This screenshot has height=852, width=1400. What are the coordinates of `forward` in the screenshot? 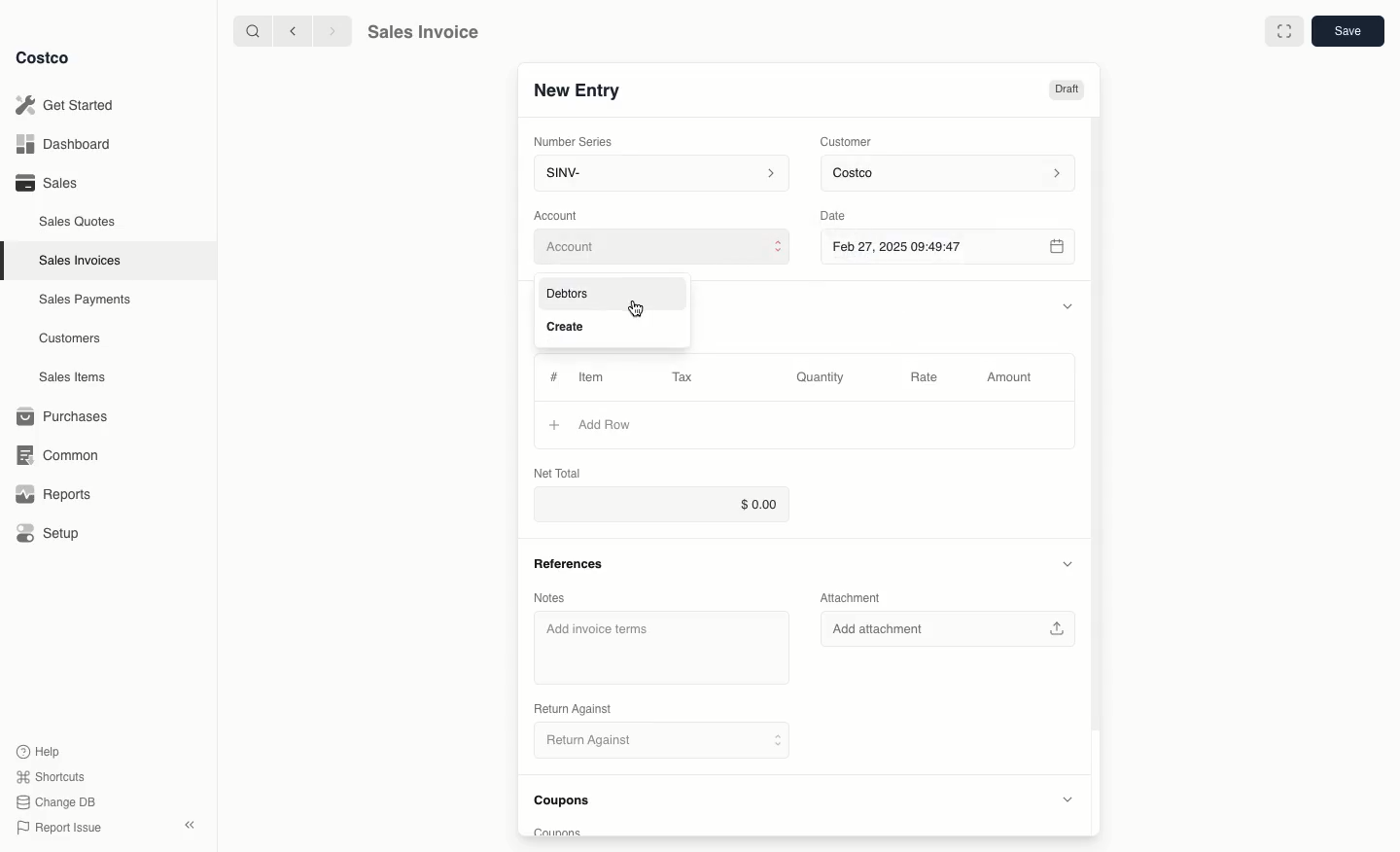 It's located at (330, 30).